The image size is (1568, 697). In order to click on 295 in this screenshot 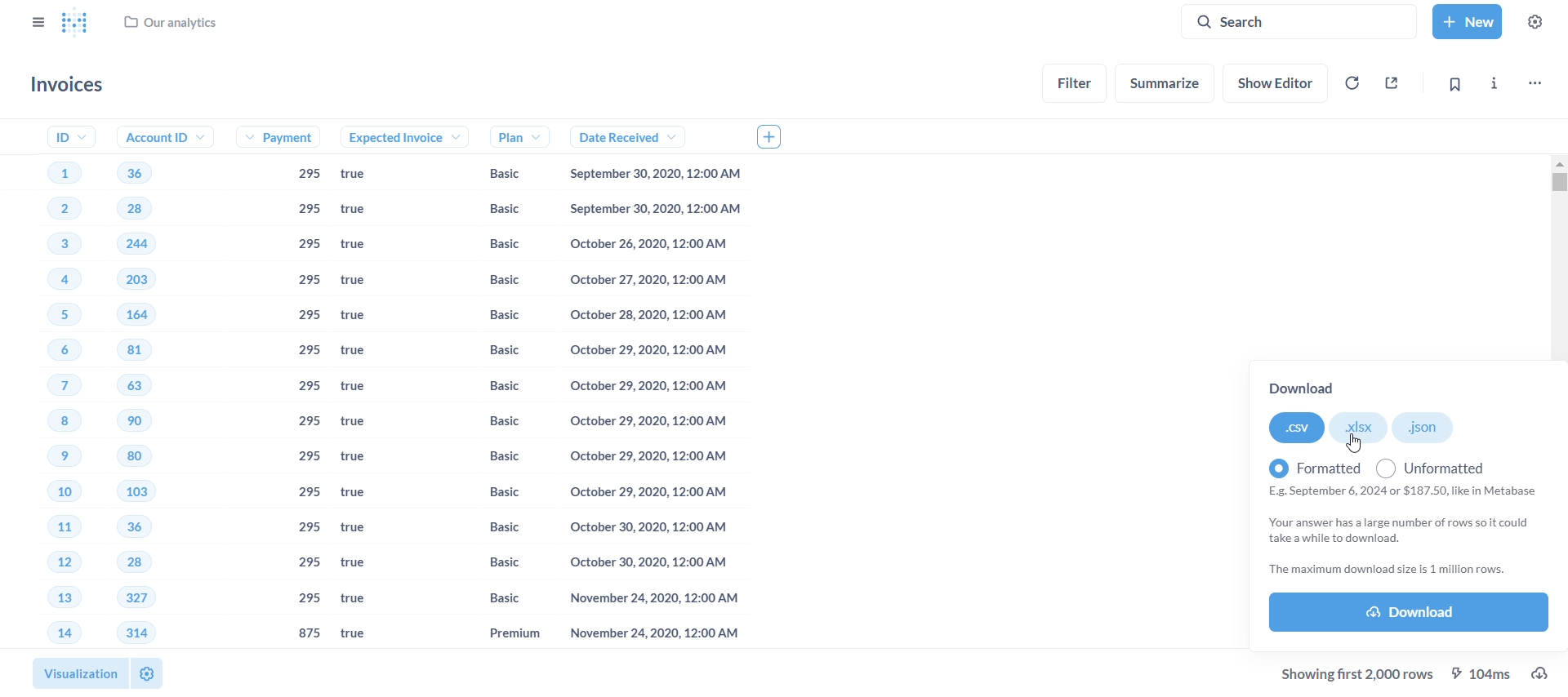, I will do `click(305, 175)`.